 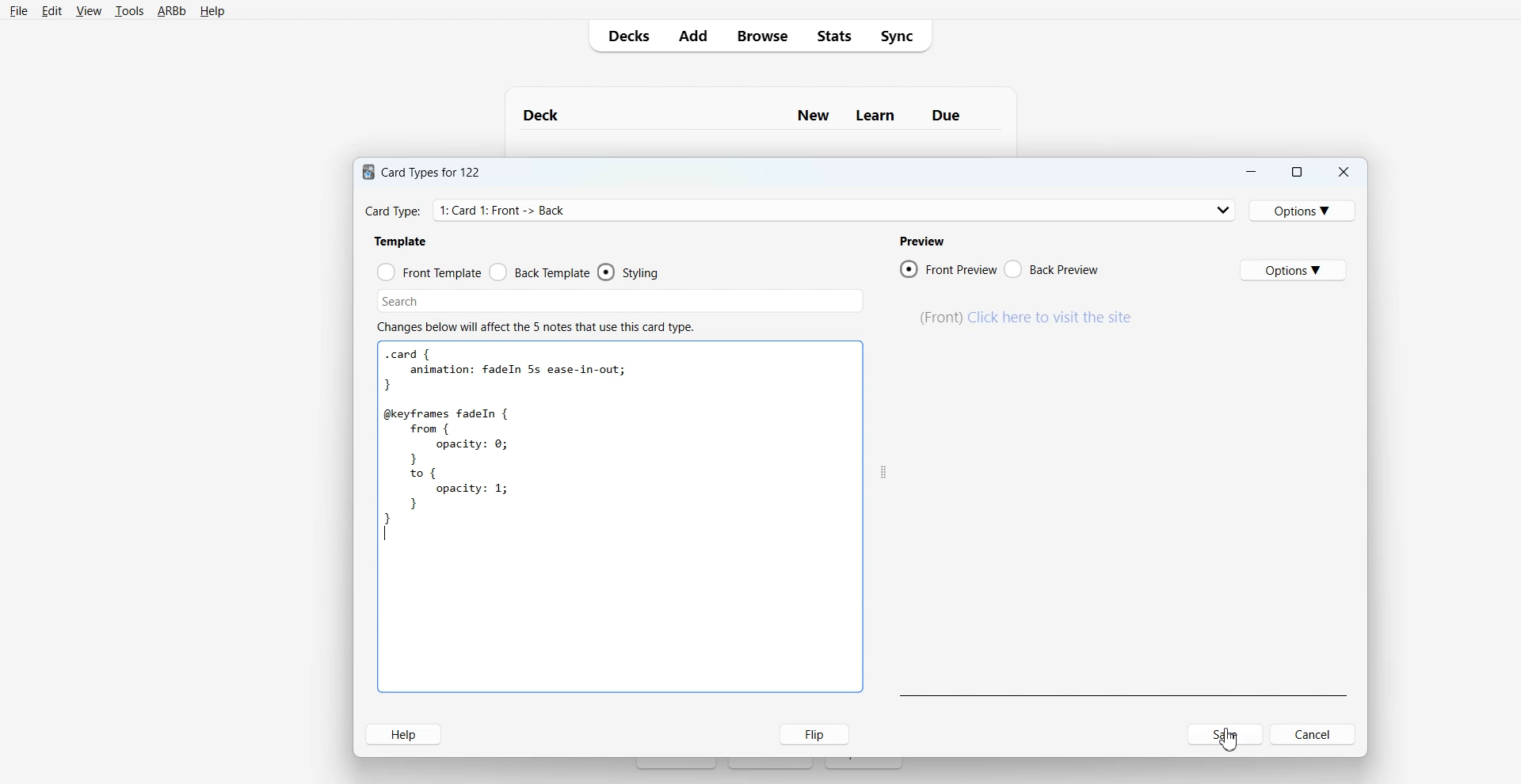 What do you see at coordinates (948, 268) in the screenshot?
I see `Front Preview` at bounding box center [948, 268].